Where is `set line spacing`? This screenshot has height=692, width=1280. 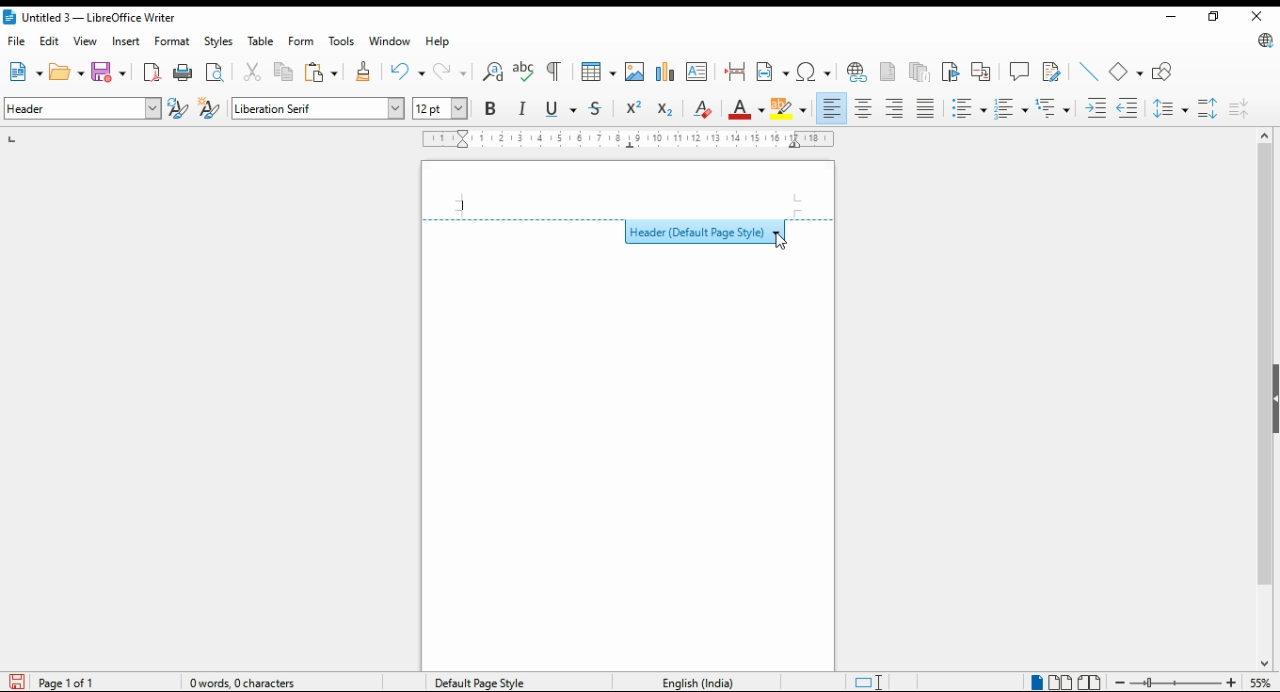 set line spacing is located at coordinates (1172, 108).